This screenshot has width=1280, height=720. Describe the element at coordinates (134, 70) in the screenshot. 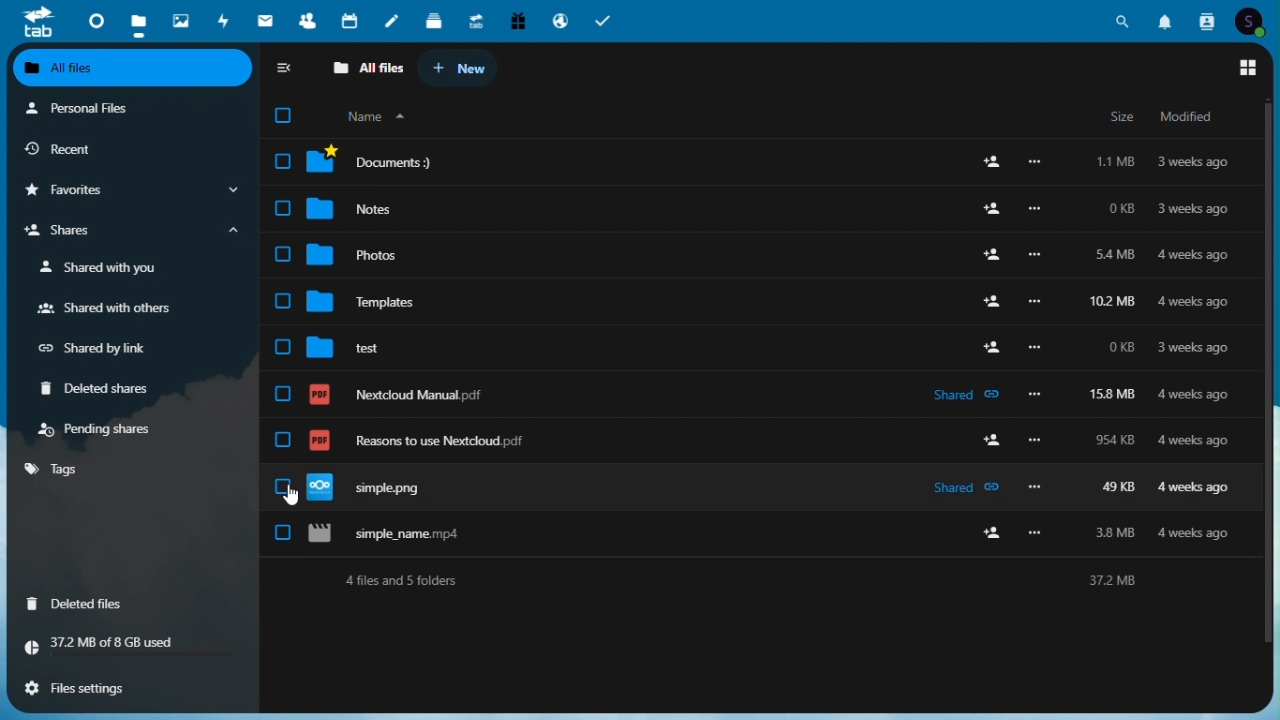

I see `all files` at that location.